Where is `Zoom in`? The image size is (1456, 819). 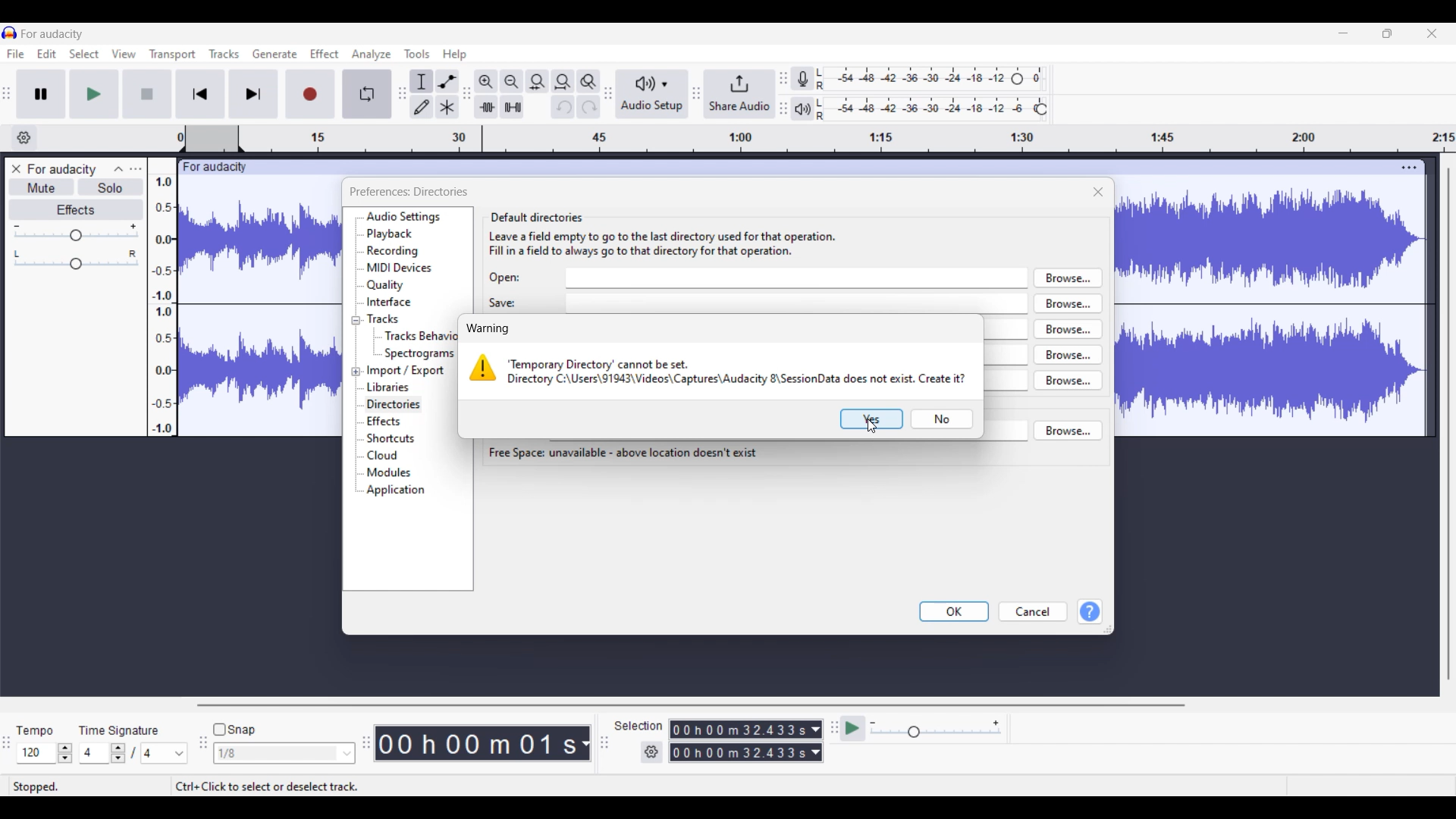 Zoom in is located at coordinates (486, 82).